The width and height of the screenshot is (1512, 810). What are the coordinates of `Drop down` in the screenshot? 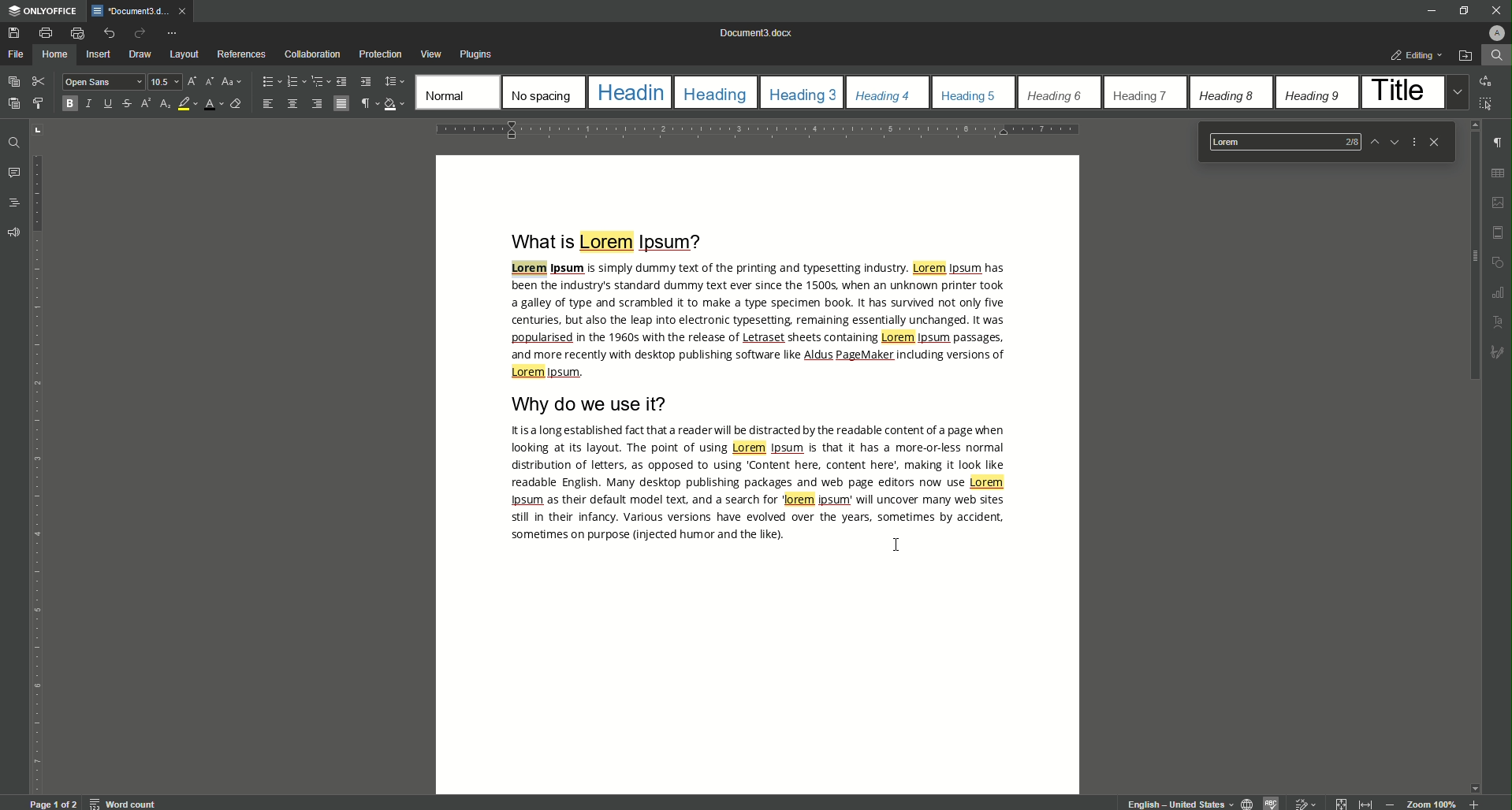 It's located at (1454, 92).